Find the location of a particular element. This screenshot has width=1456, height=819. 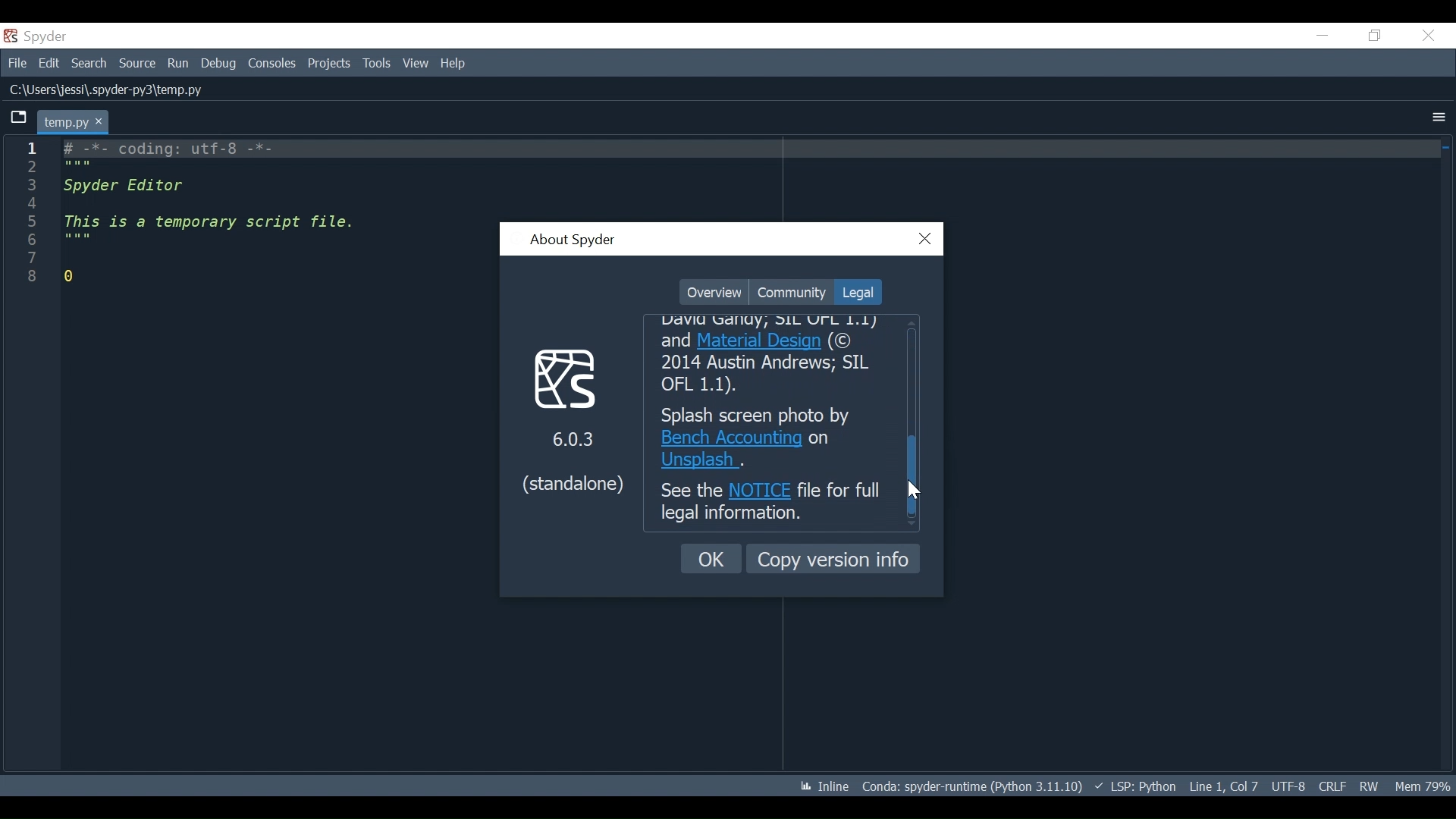

Cursor is located at coordinates (916, 490).